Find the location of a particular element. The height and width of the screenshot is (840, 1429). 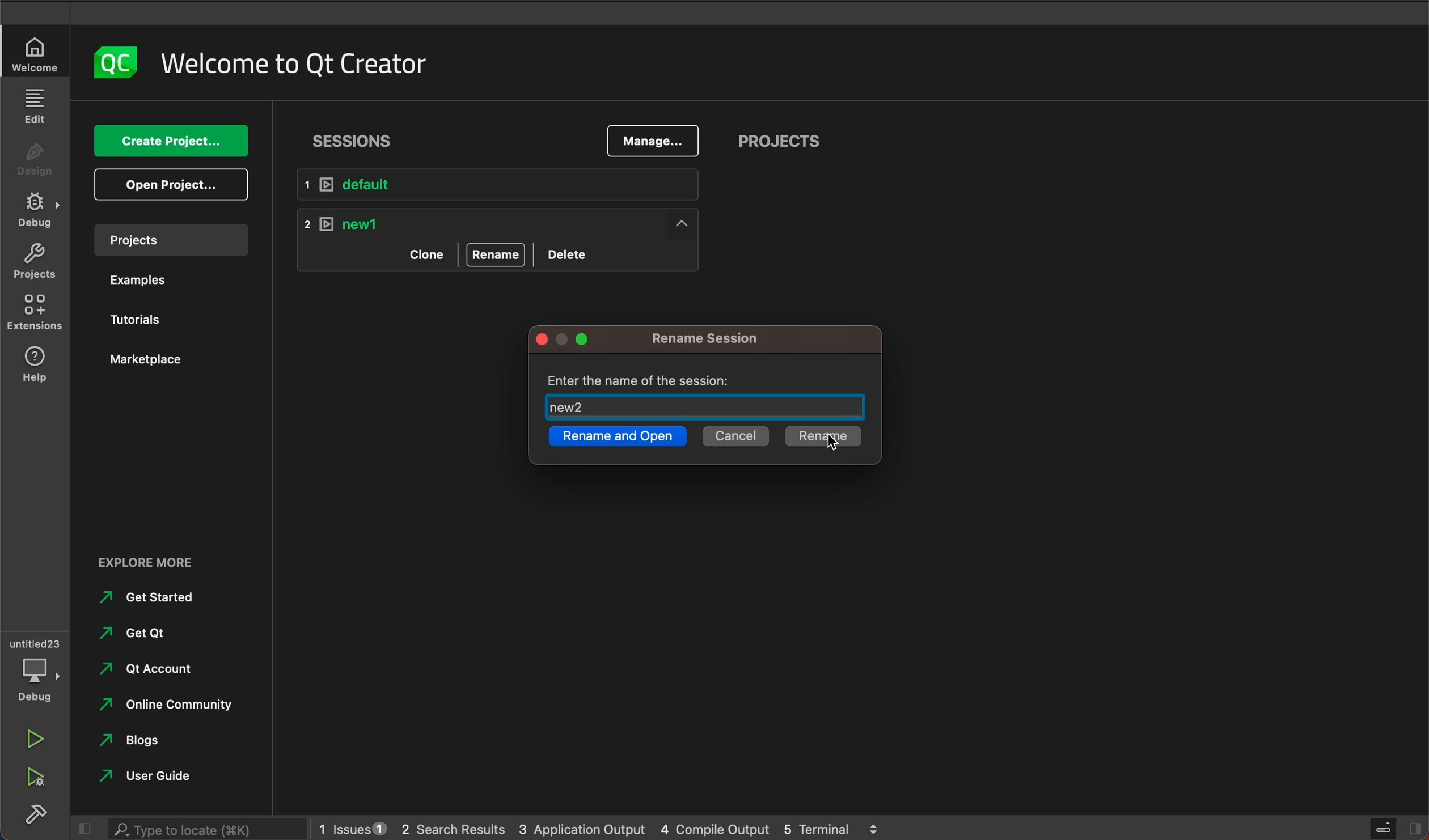

search is located at coordinates (204, 830).